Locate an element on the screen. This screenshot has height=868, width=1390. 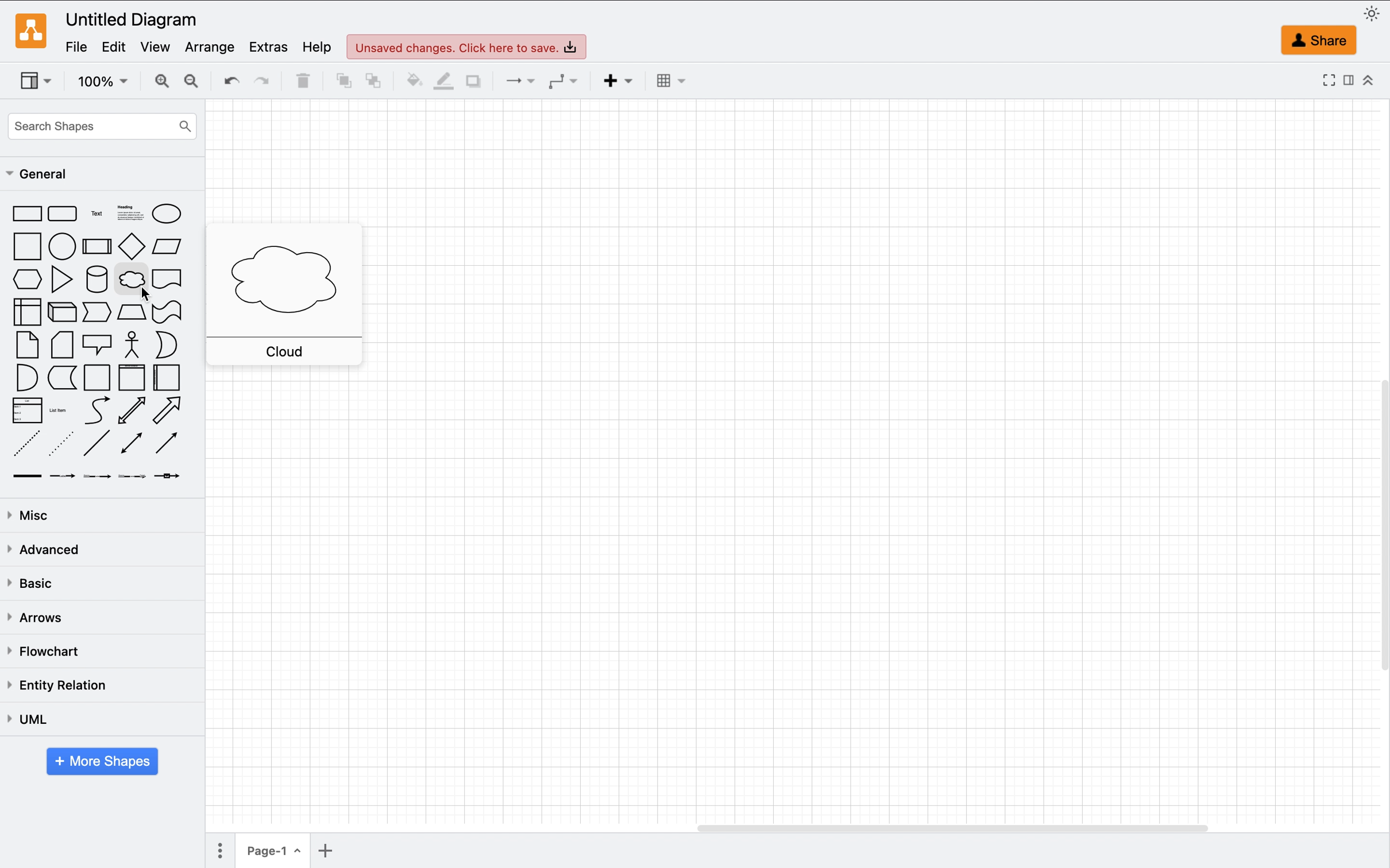
edit is located at coordinates (118, 46).